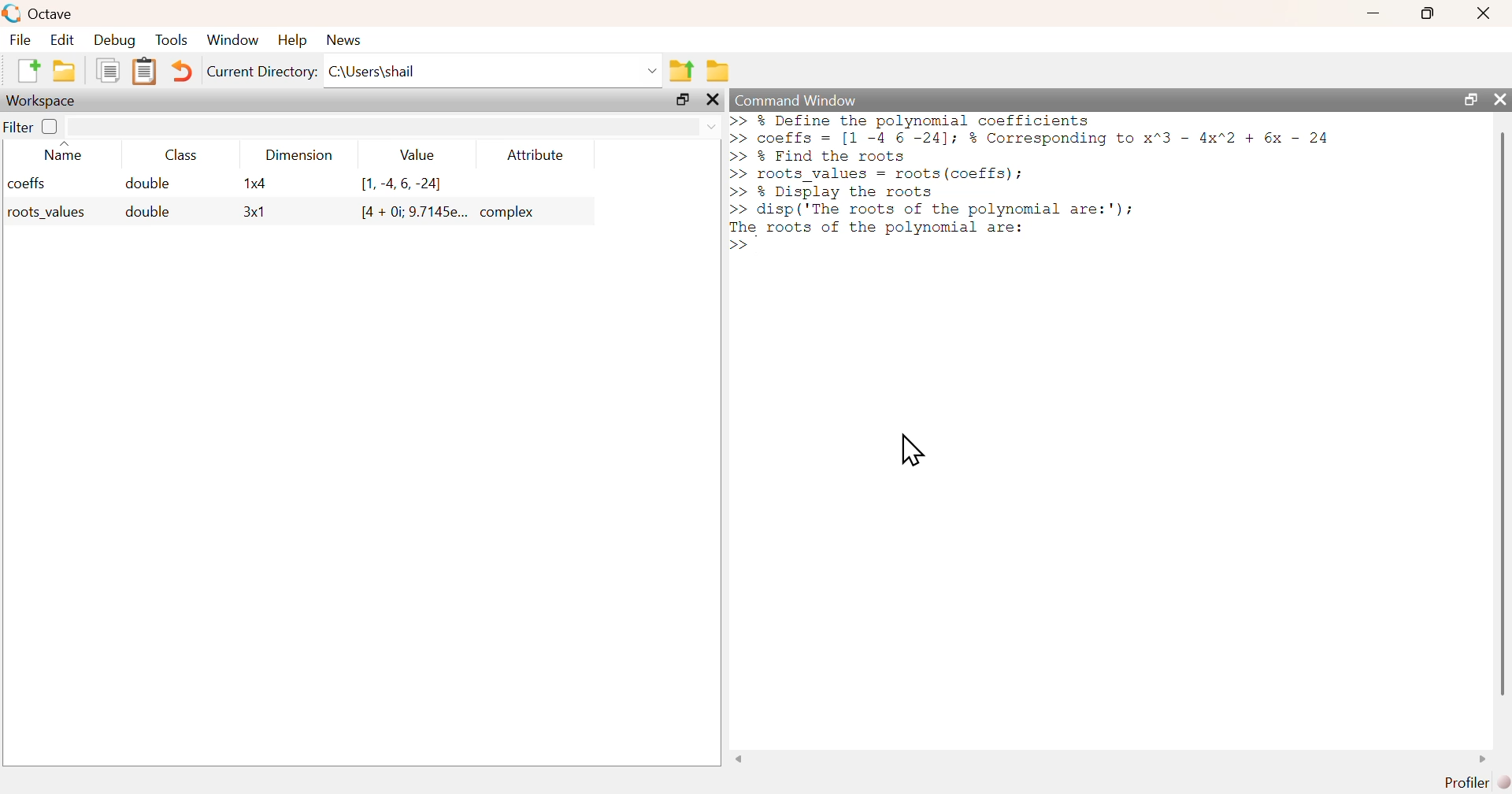 The image size is (1512, 794). I want to click on Tools, so click(172, 39).